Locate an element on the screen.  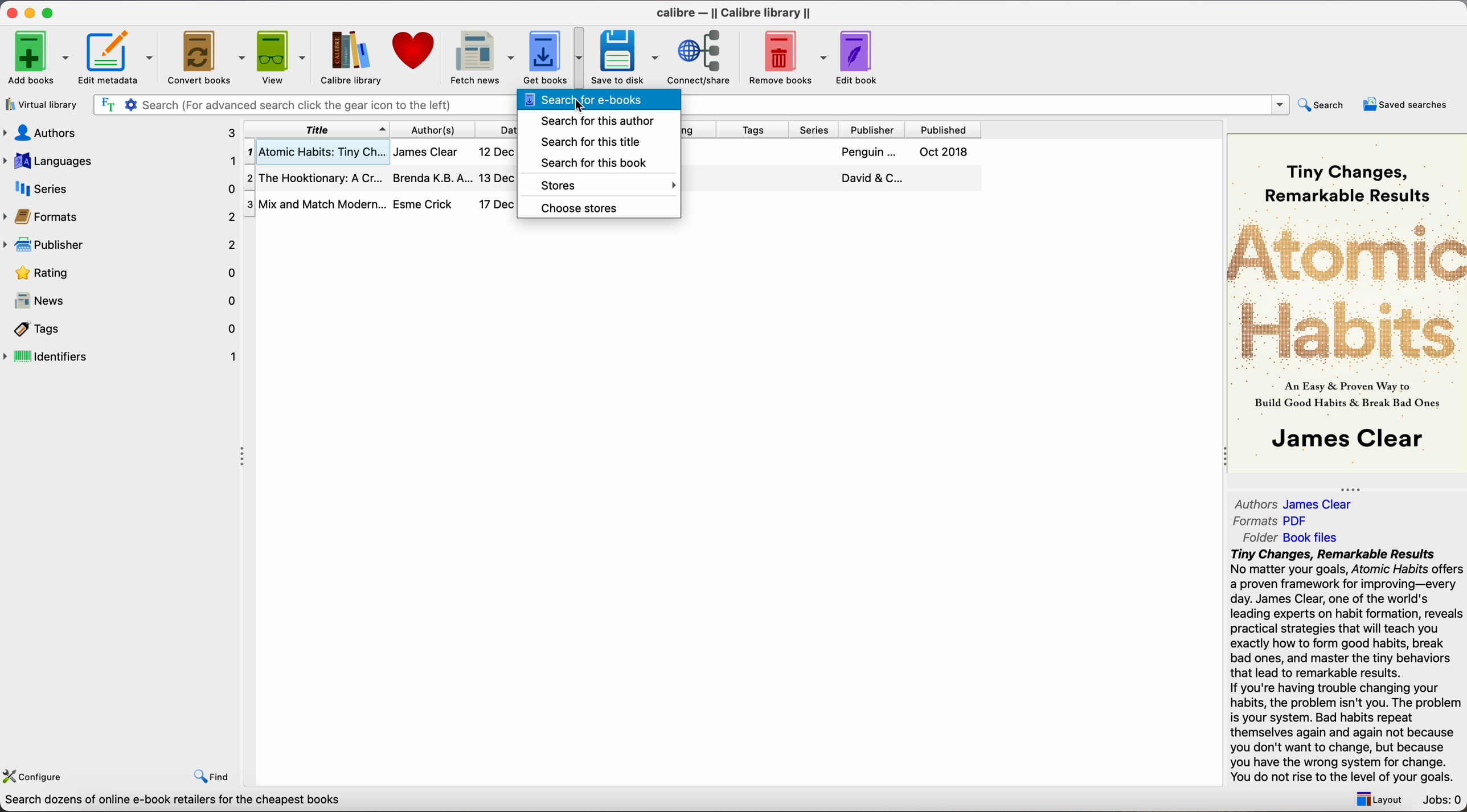
published is located at coordinates (946, 130).